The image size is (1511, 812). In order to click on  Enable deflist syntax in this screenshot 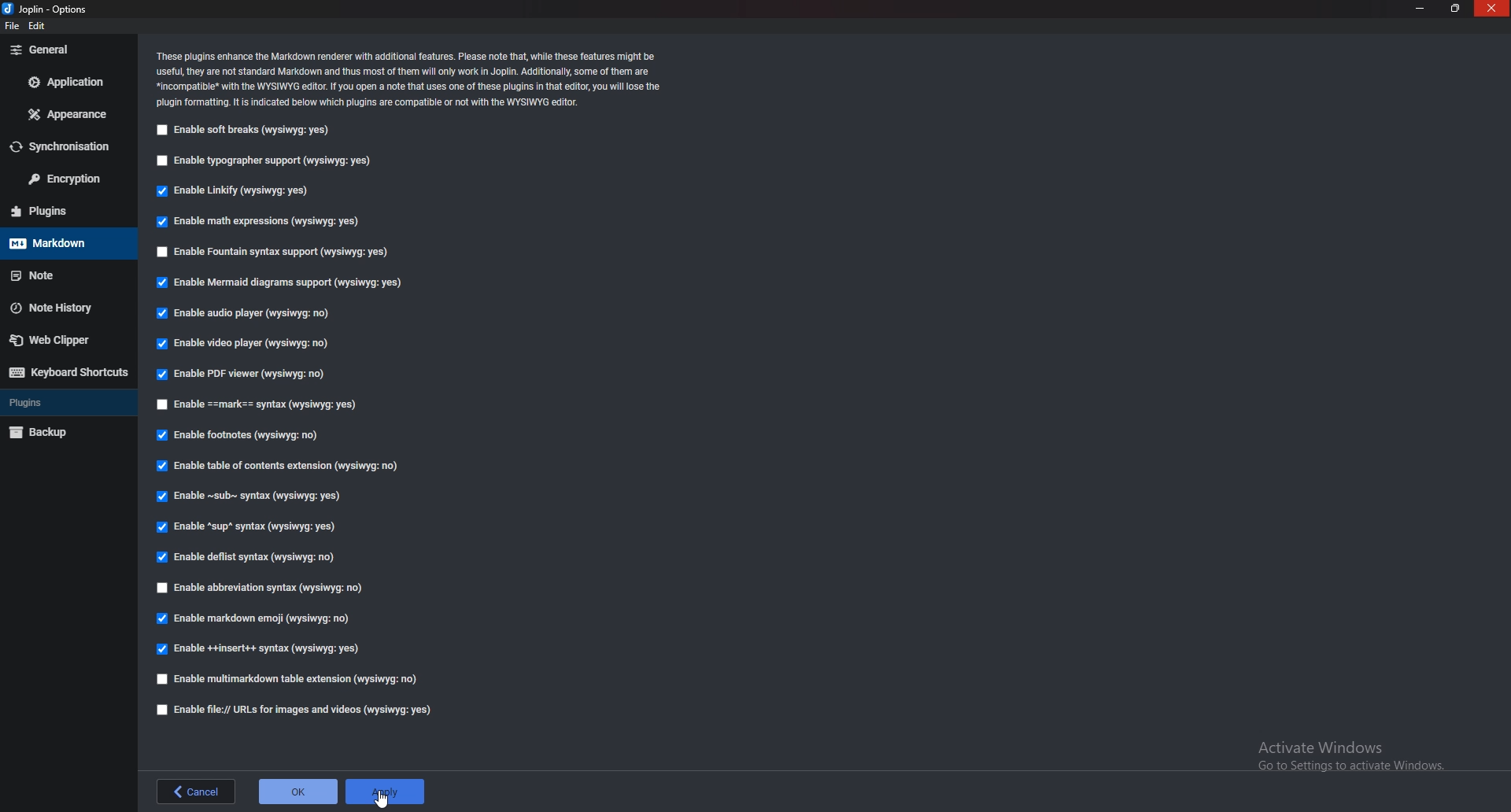, I will do `click(249, 558)`.